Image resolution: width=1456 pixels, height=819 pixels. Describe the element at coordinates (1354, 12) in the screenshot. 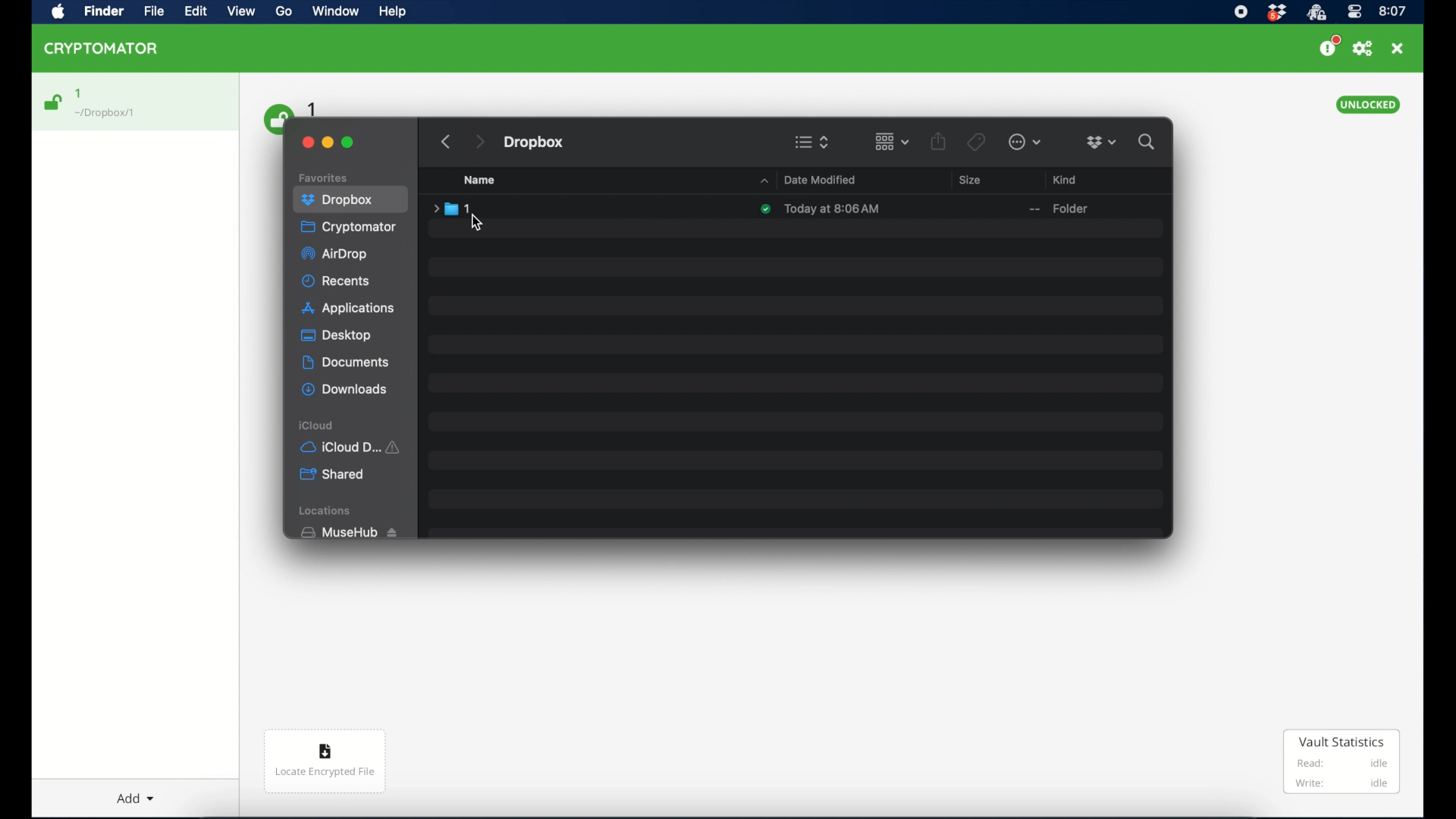

I see `control center` at that location.